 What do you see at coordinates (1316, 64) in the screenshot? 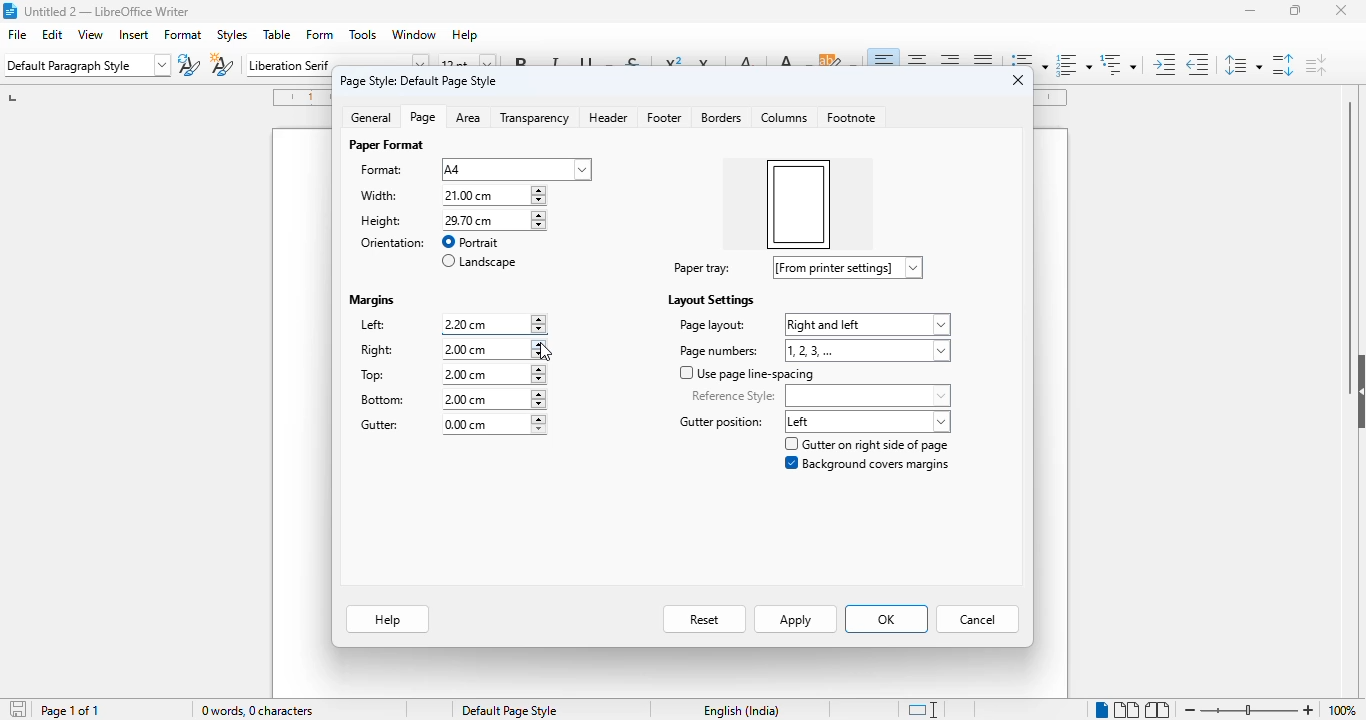
I see `decrease paragraph spacing` at bounding box center [1316, 64].